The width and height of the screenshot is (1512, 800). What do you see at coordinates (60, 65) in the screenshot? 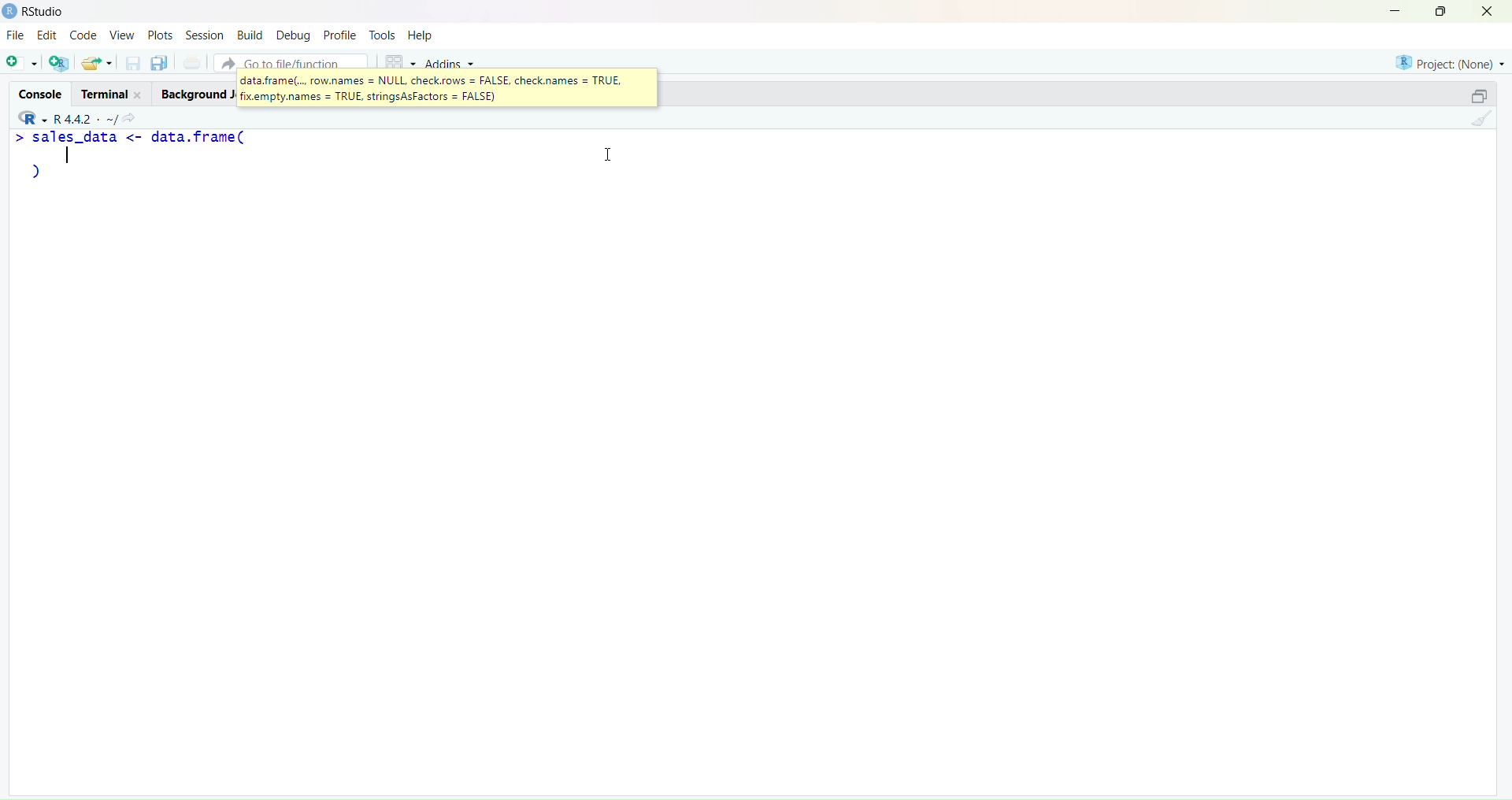
I see `add multiple scripts` at bounding box center [60, 65].